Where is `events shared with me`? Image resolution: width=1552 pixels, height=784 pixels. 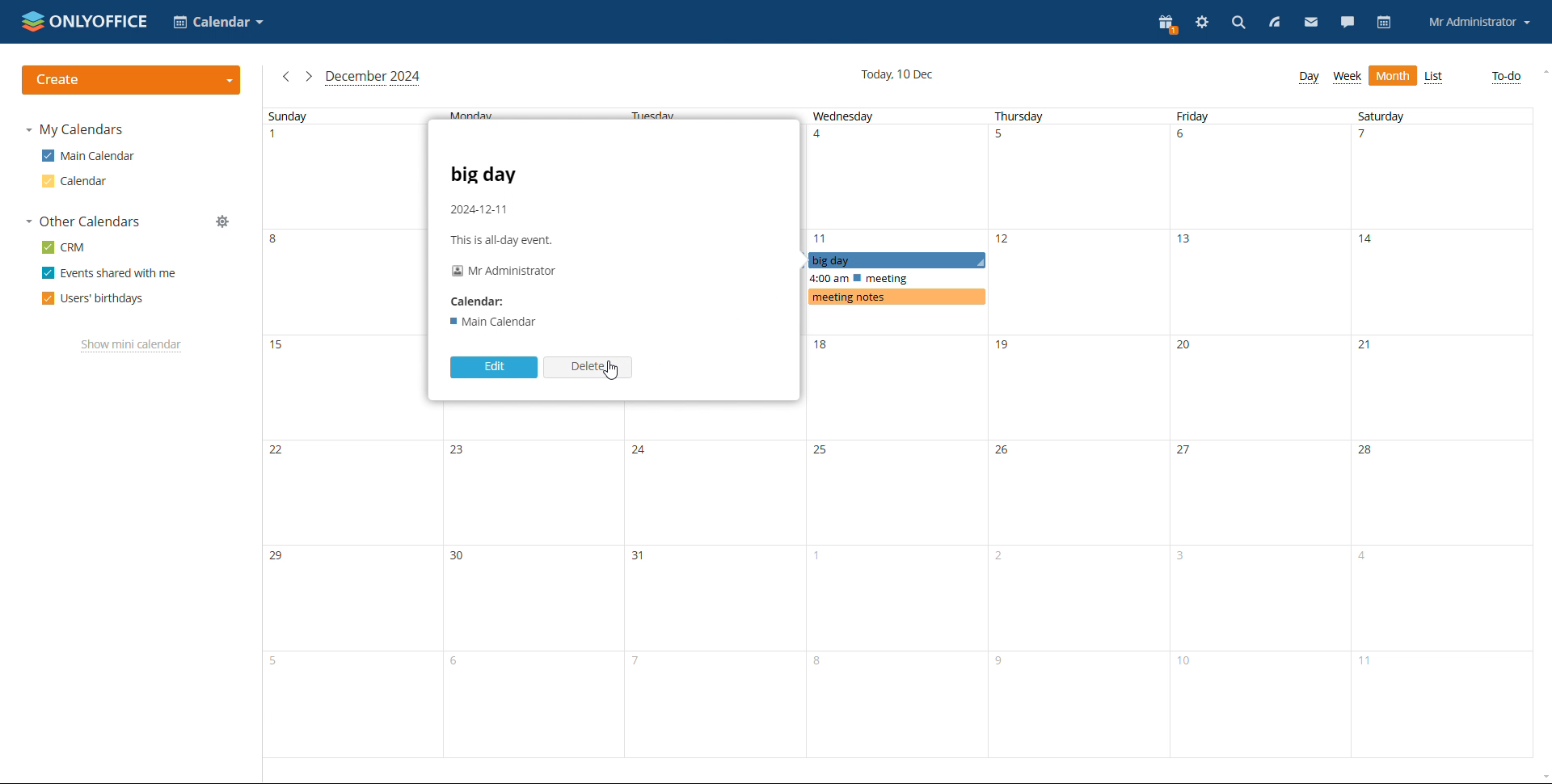
events shared with me is located at coordinates (111, 273).